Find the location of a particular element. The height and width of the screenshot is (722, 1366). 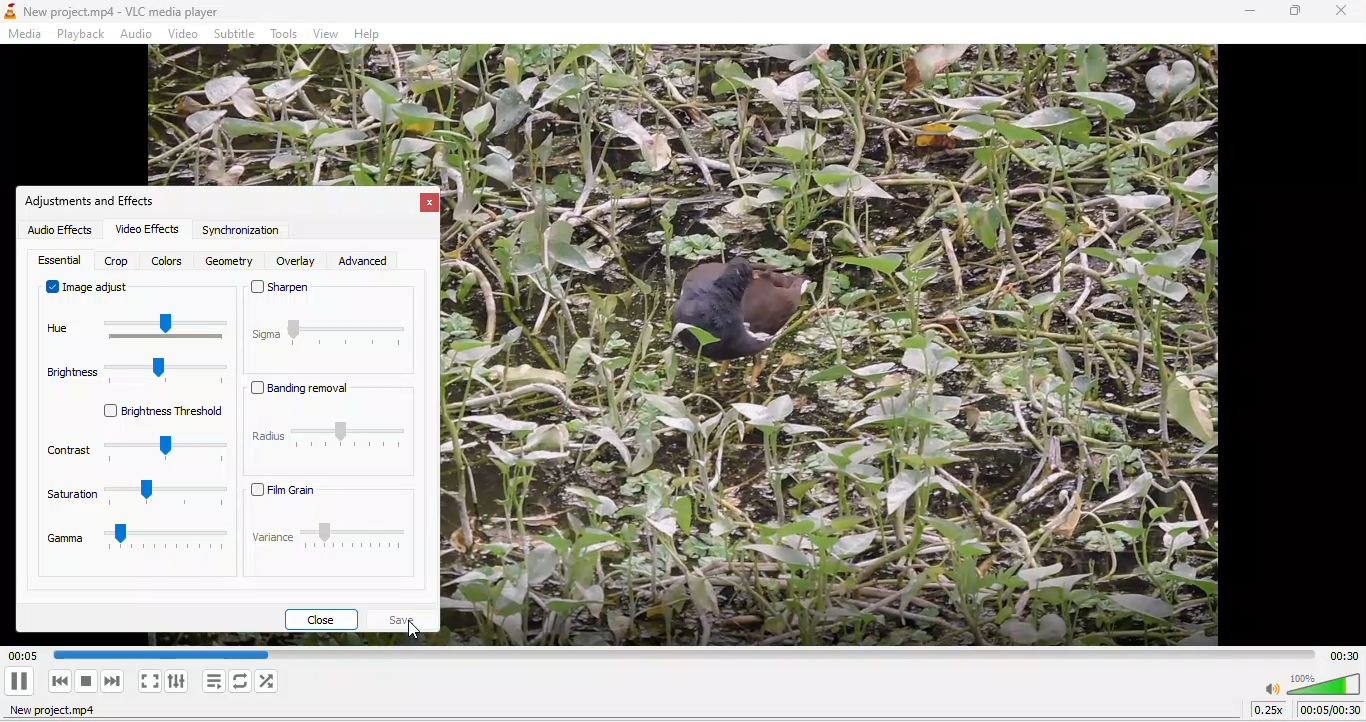

stop playback is located at coordinates (88, 685).